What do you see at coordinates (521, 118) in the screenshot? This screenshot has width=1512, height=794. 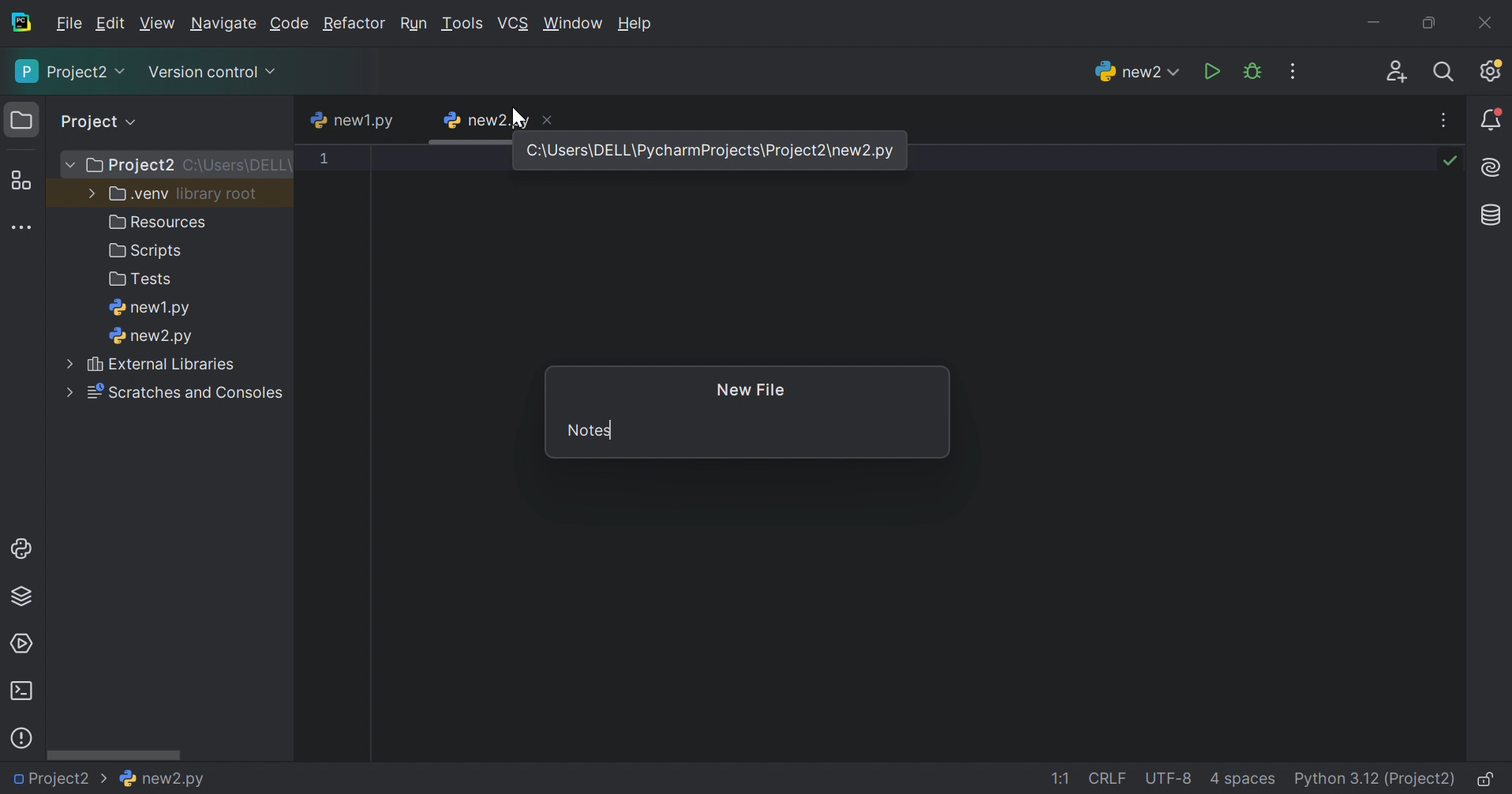 I see `Cursor` at bounding box center [521, 118].